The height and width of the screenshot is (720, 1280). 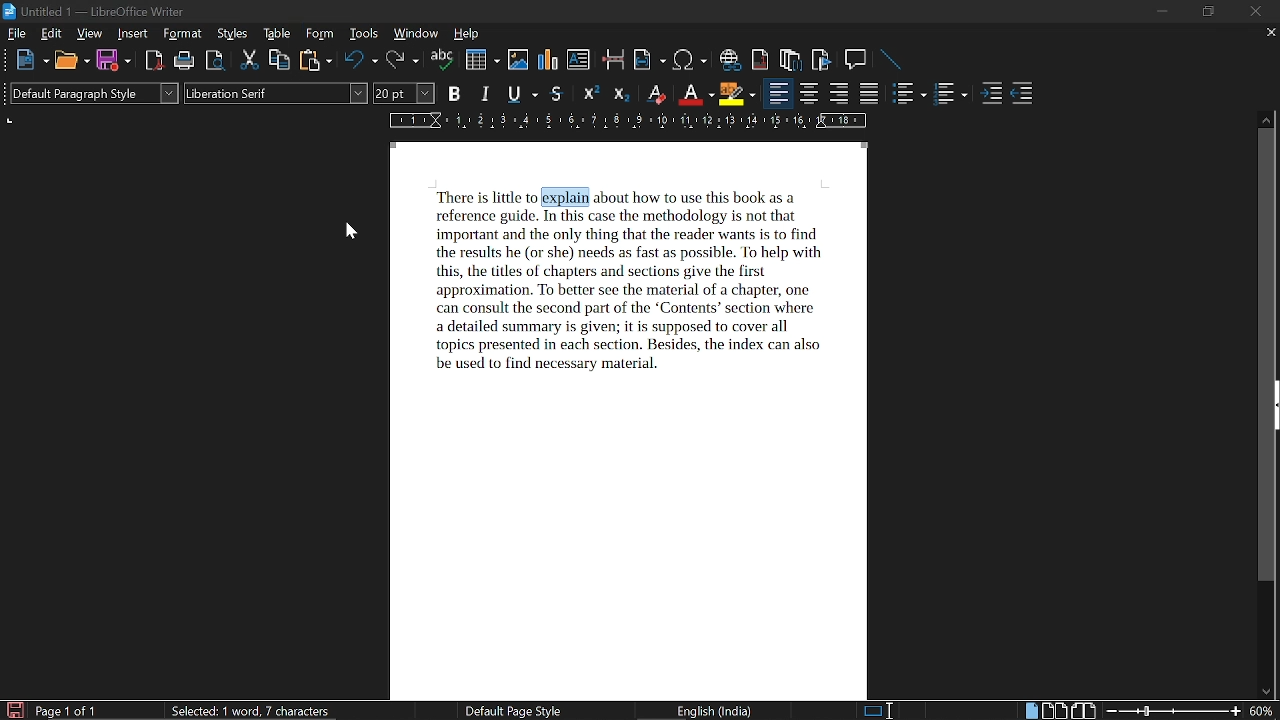 I want to click on view, so click(x=91, y=35).